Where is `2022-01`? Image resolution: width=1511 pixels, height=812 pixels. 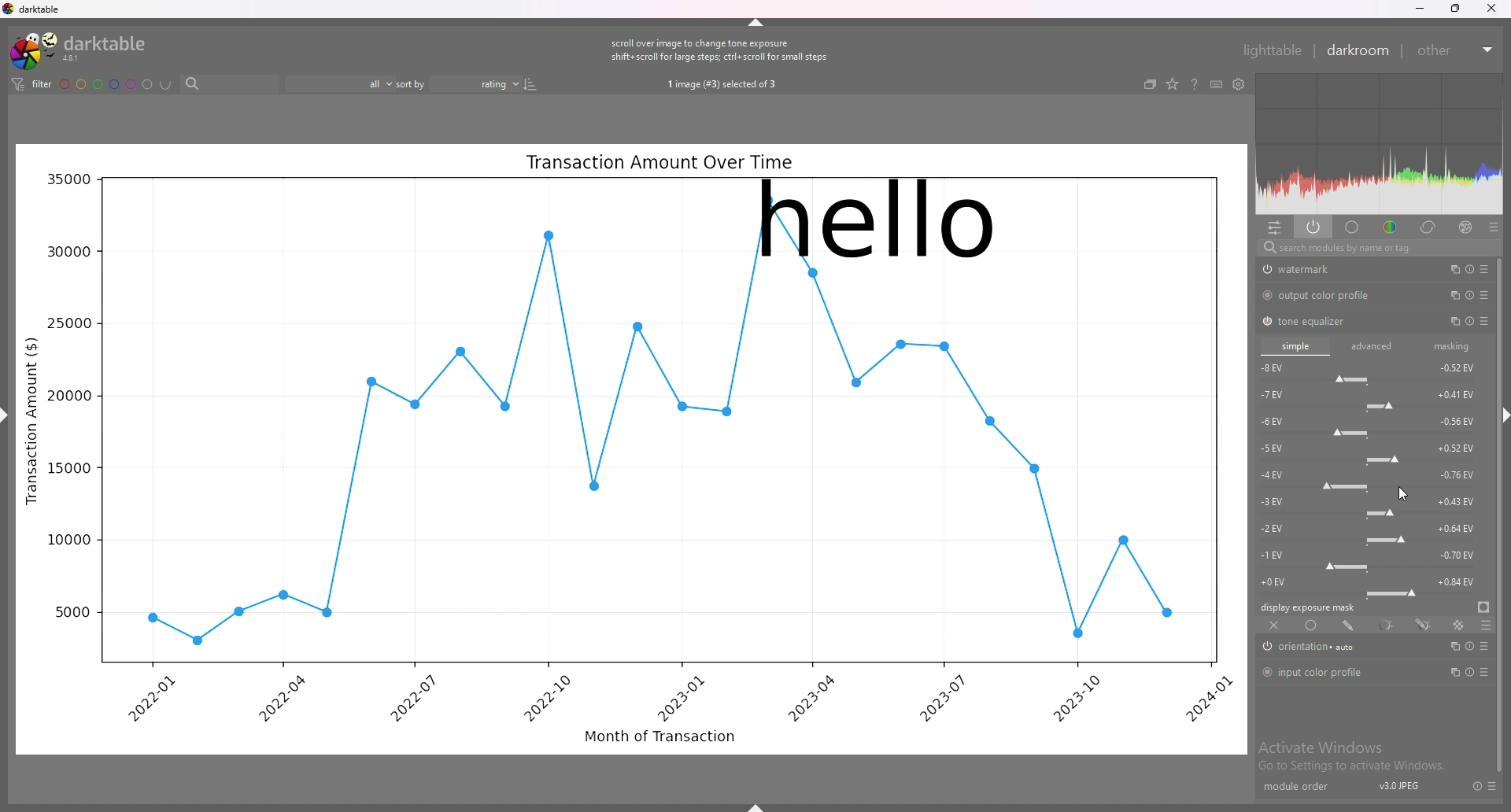
2022-01 is located at coordinates (157, 699).